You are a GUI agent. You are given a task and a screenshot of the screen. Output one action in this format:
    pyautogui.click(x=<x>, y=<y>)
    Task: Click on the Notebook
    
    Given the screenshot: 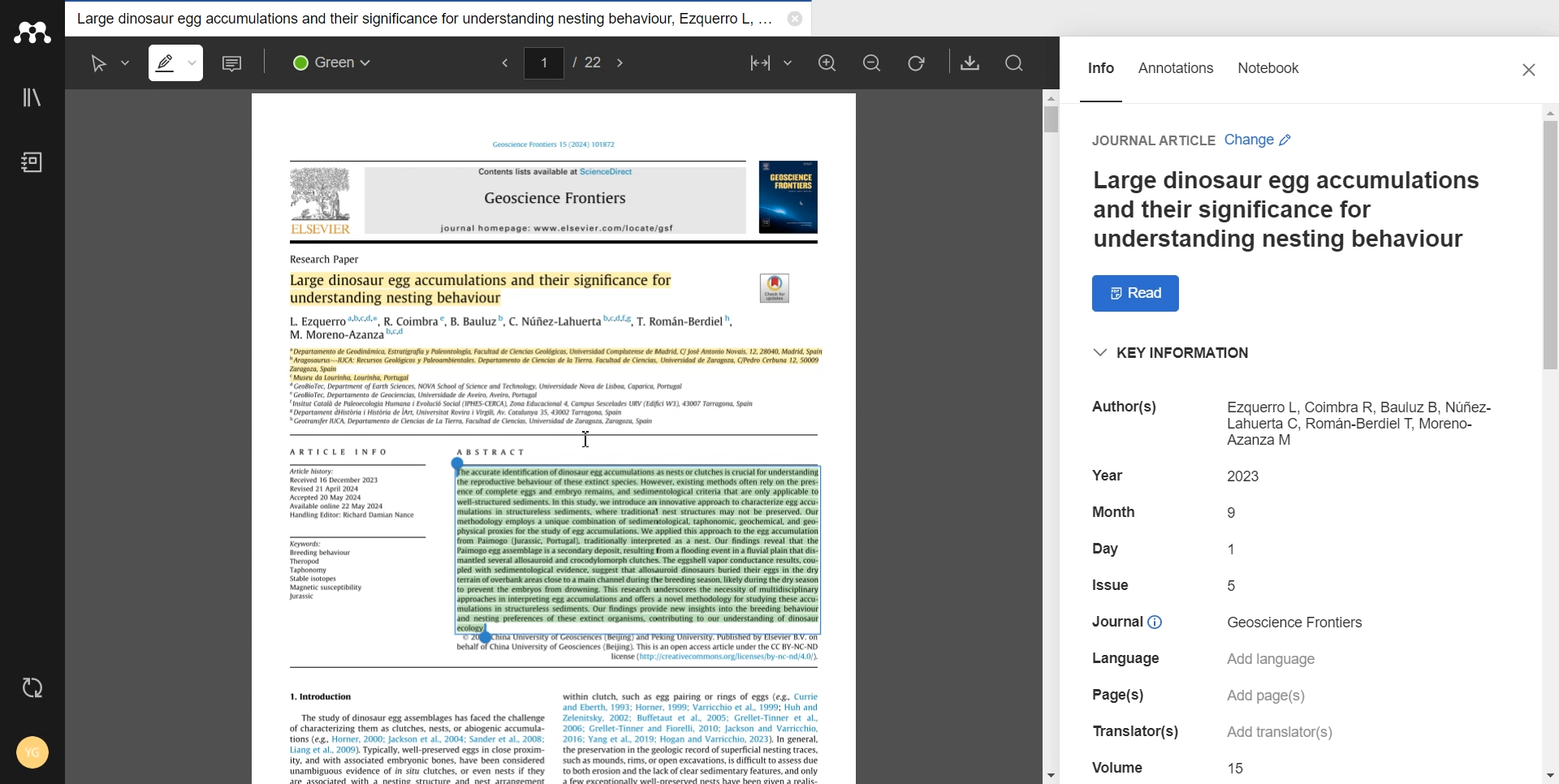 What is the action you would take?
    pyautogui.click(x=1269, y=77)
    